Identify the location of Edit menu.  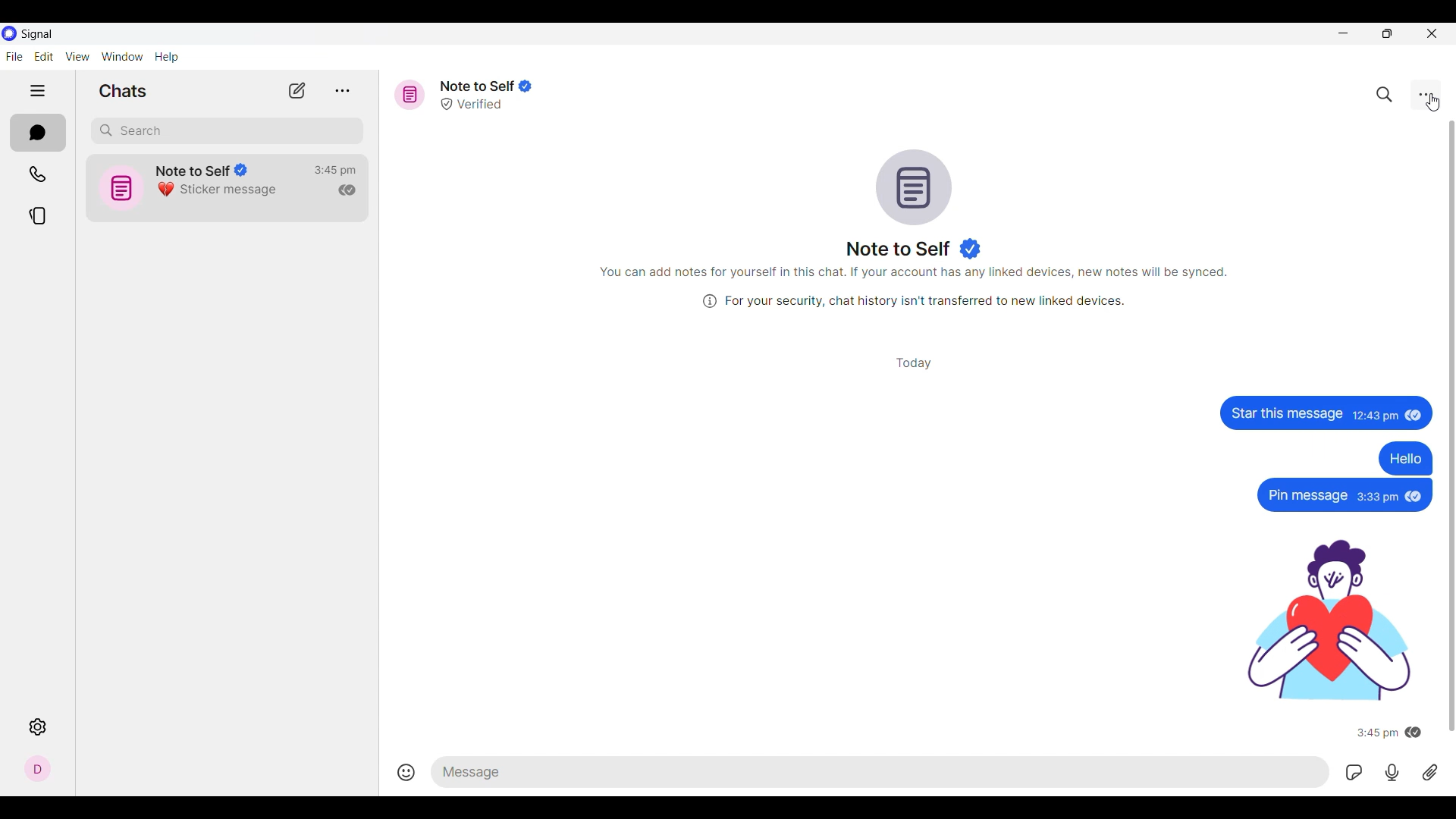
(44, 56).